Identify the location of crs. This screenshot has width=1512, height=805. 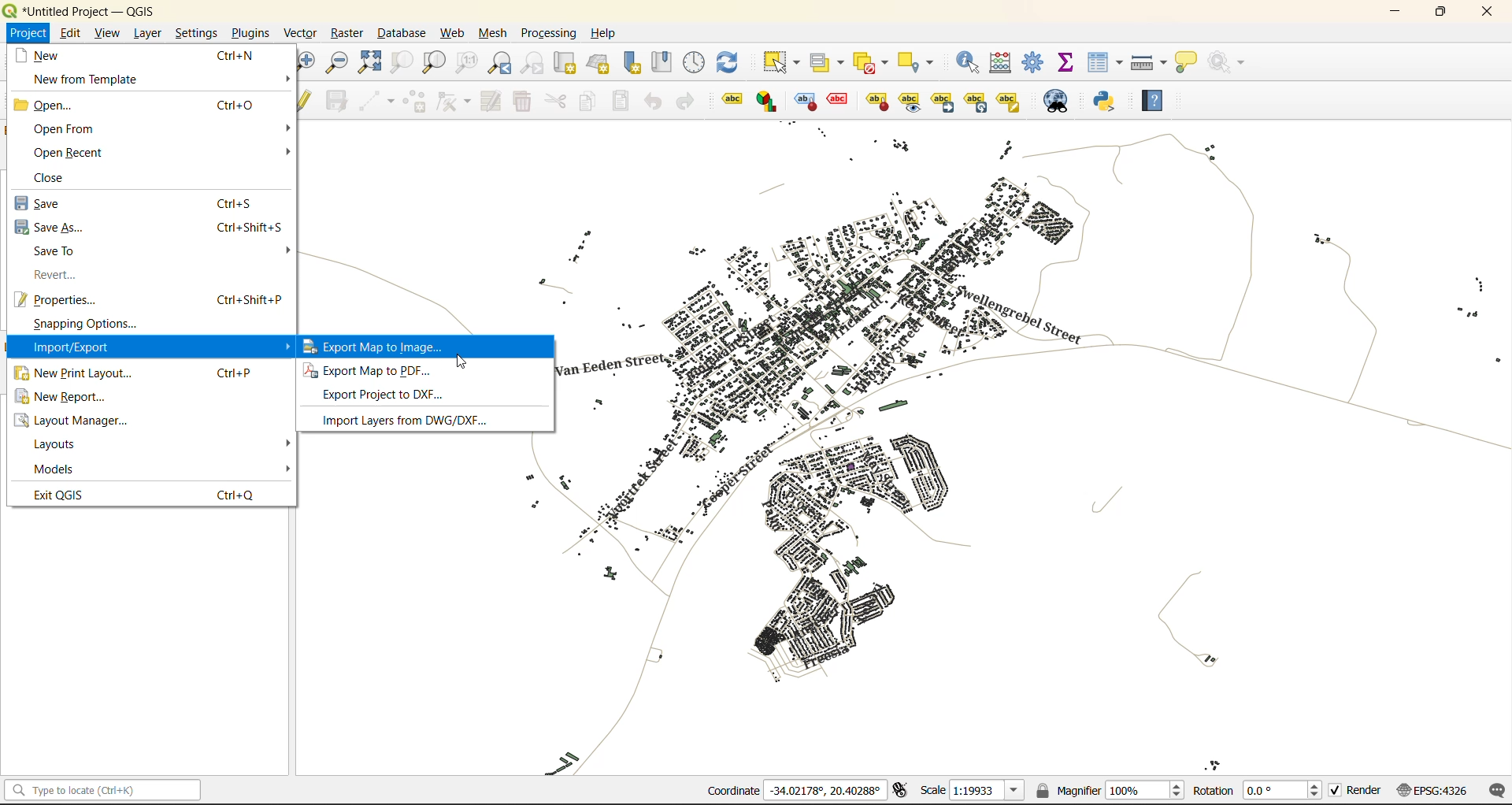
(1428, 788).